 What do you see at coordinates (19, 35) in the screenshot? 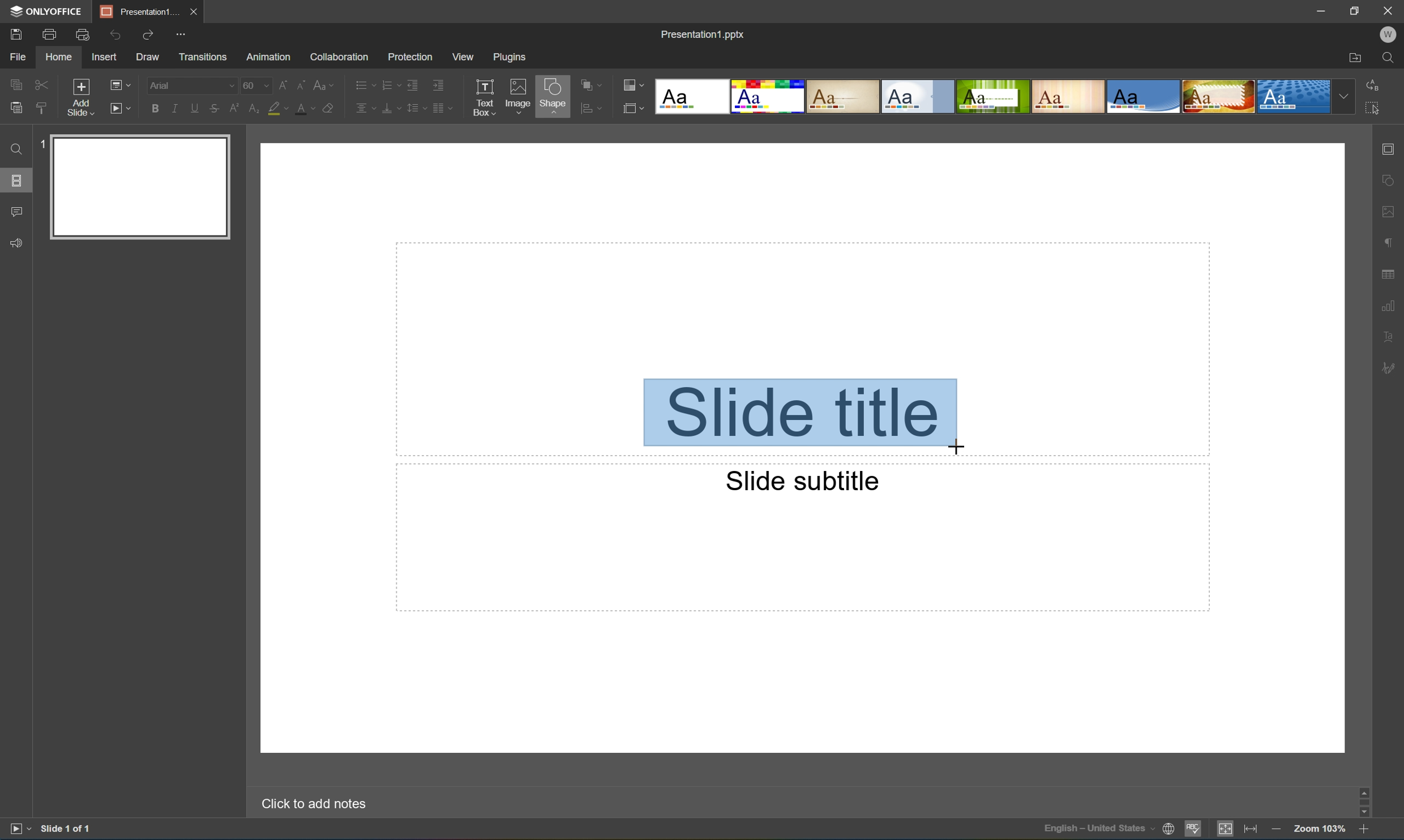
I see `Save` at bounding box center [19, 35].